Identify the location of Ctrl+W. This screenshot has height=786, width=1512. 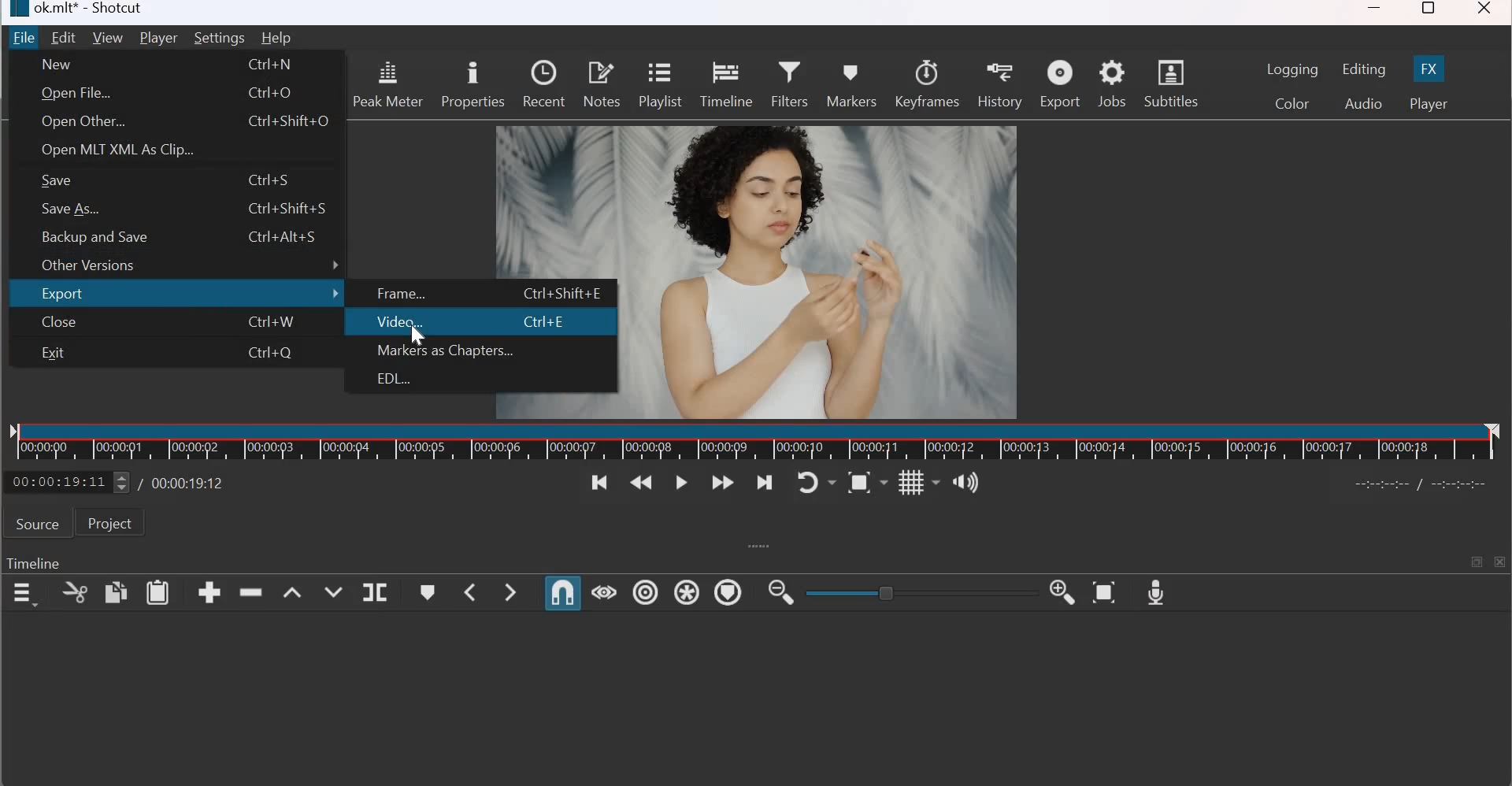
(277, 322).